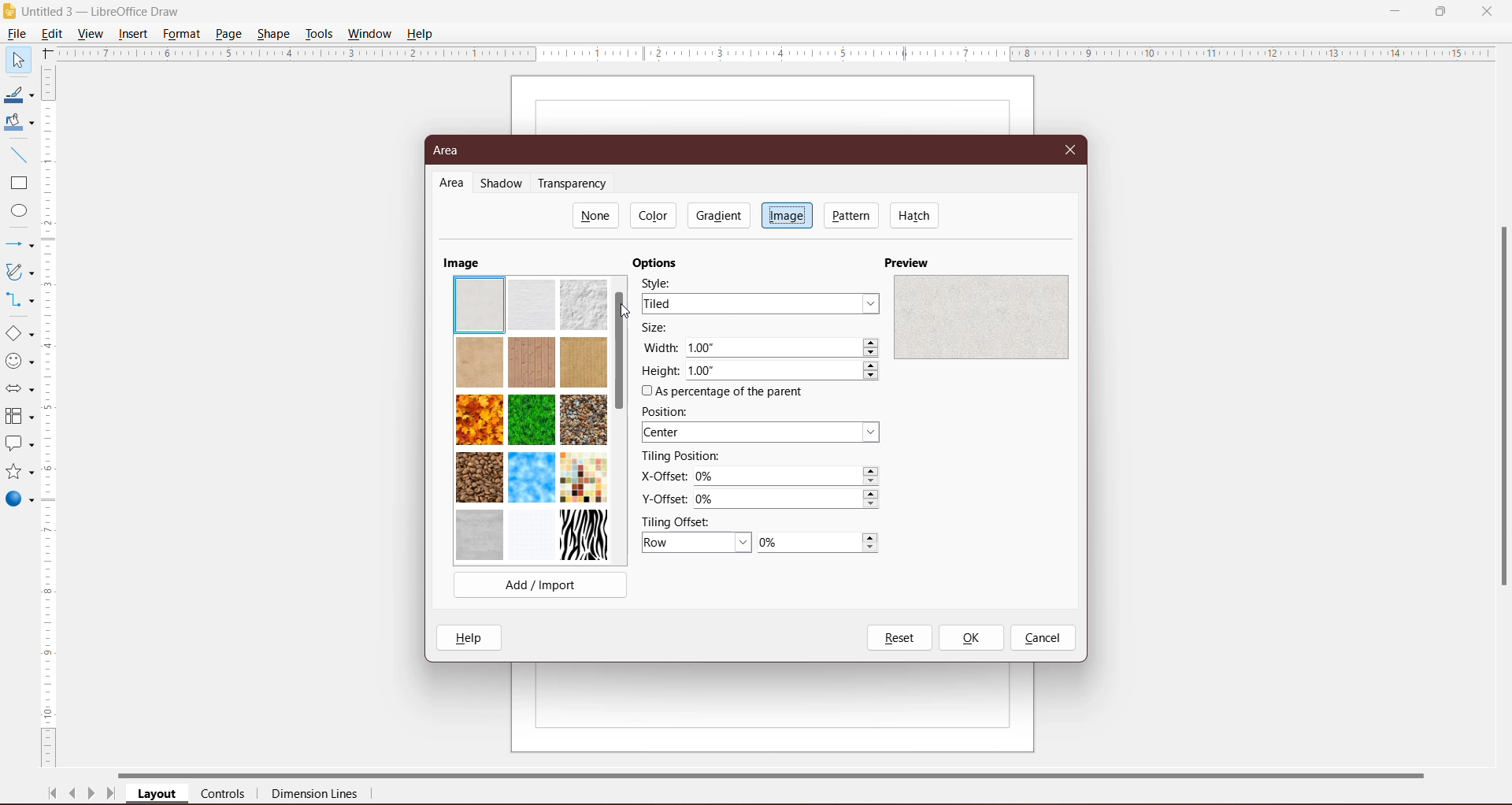 The height and width of the screenshot is (805, 1512). What do you see at coordinates (697, 543) in the screenshot?
I see `Set Tiling Offest` at bounding box center [697, 543].